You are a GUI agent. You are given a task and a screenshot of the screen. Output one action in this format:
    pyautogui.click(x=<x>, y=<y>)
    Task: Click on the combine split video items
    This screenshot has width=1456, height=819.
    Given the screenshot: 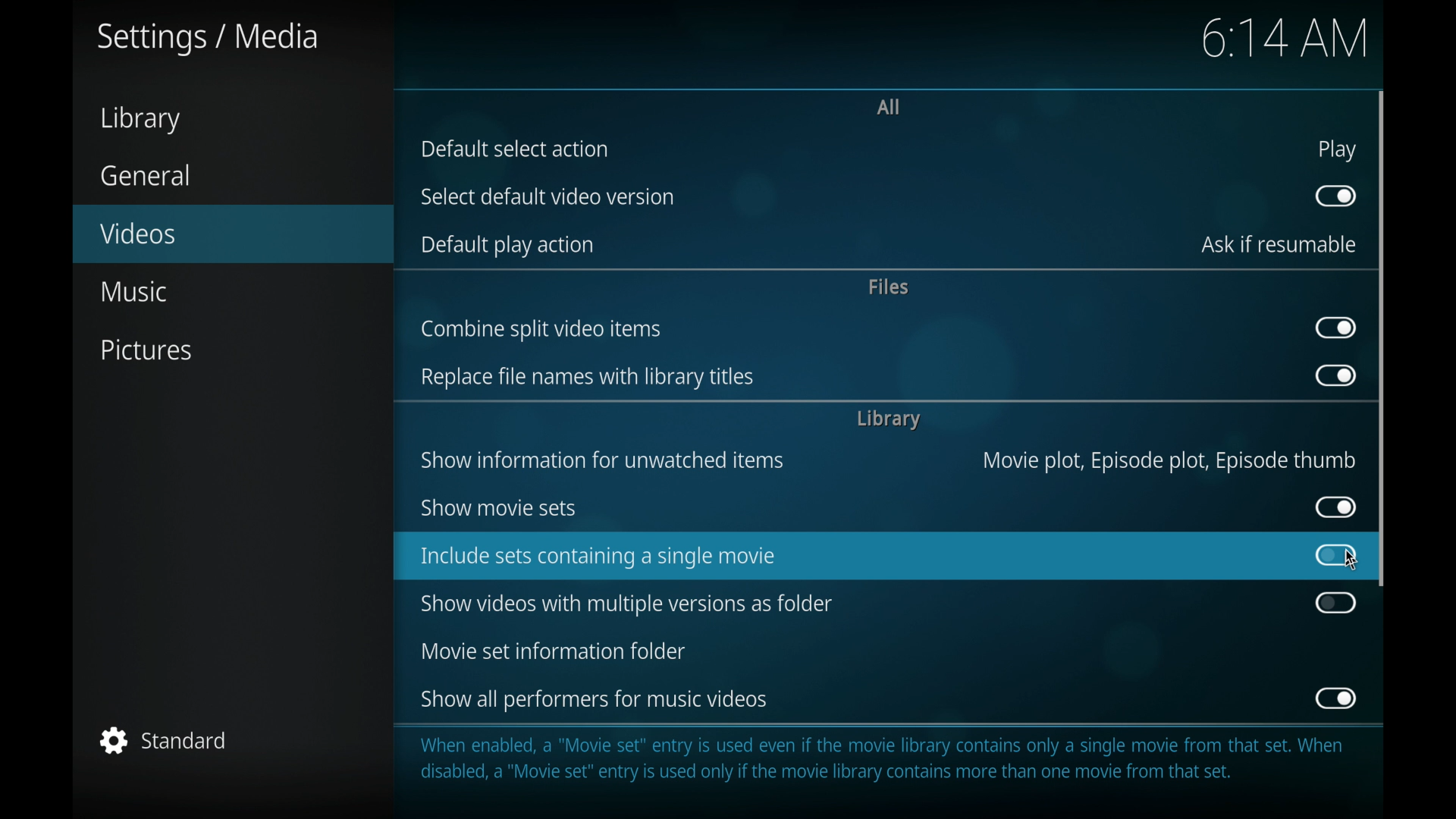 What is the action you would take?
    pyautogui.click(x=541, y=330)
    